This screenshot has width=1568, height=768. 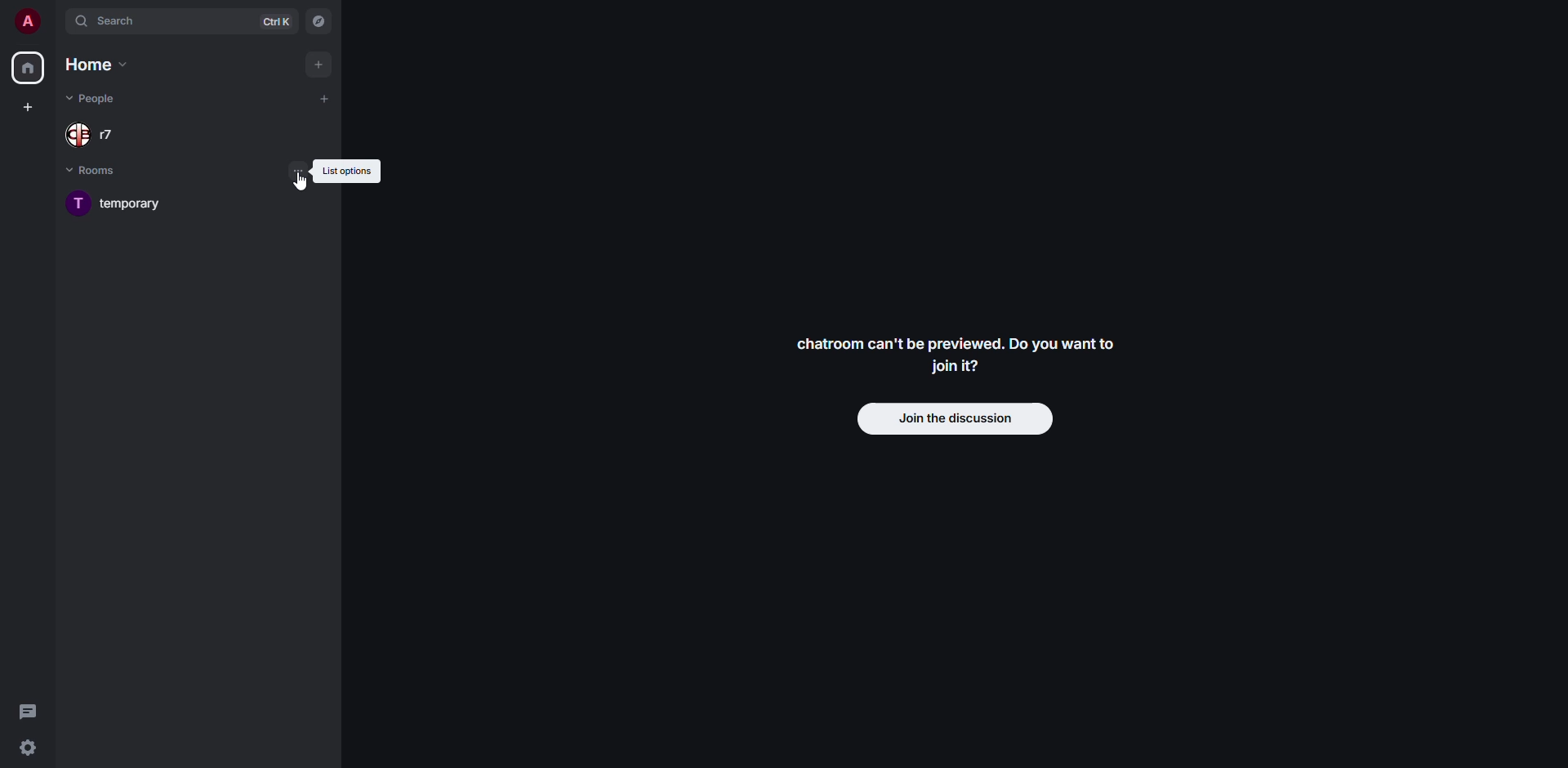 What do you see at coordinates (114, 20) in the screenshot?
I see `search` at bounding box center [114, 20].